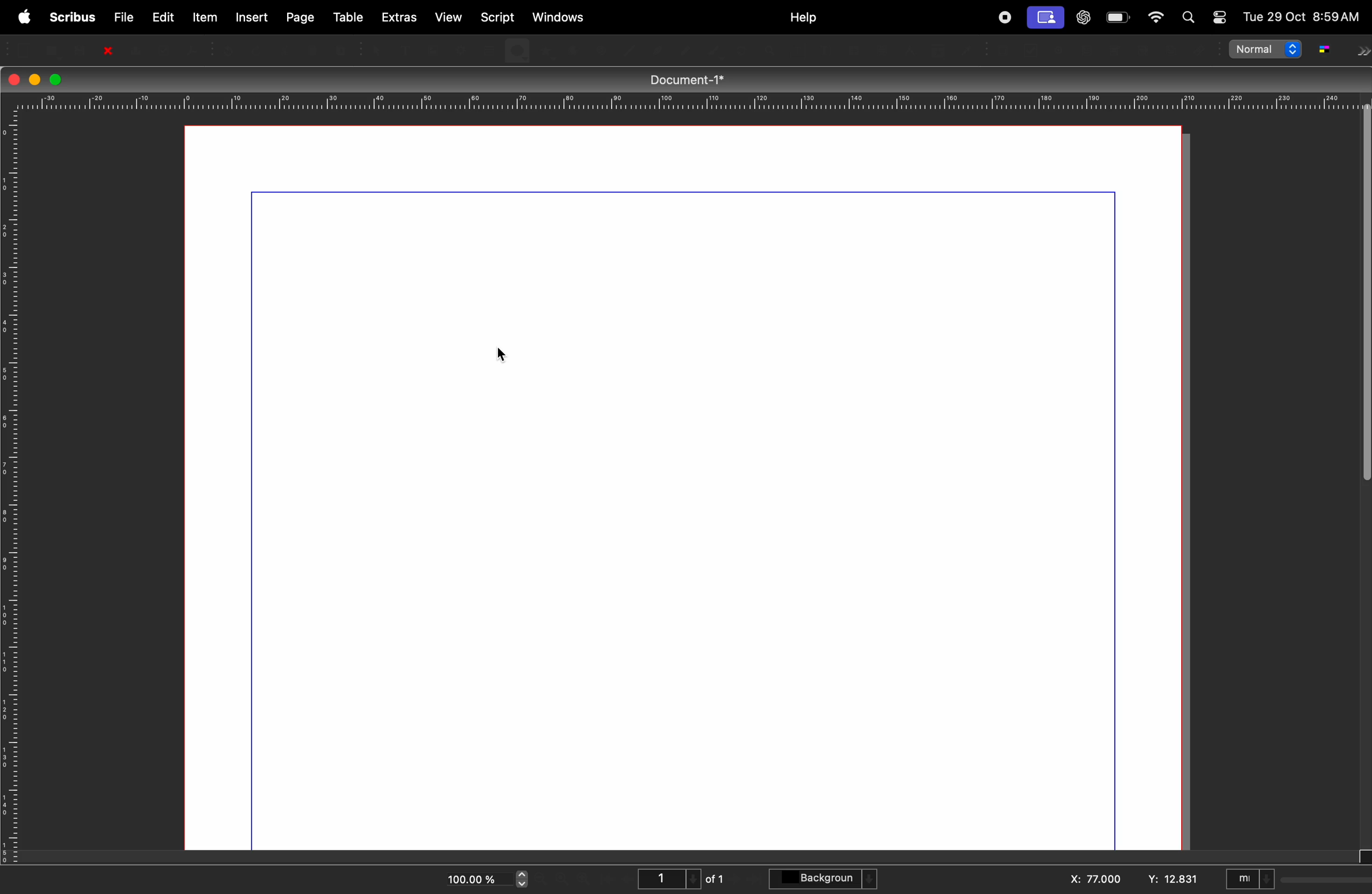 This screenshot has height=894, width=1372. I want to click on select item, so click(376, 48).